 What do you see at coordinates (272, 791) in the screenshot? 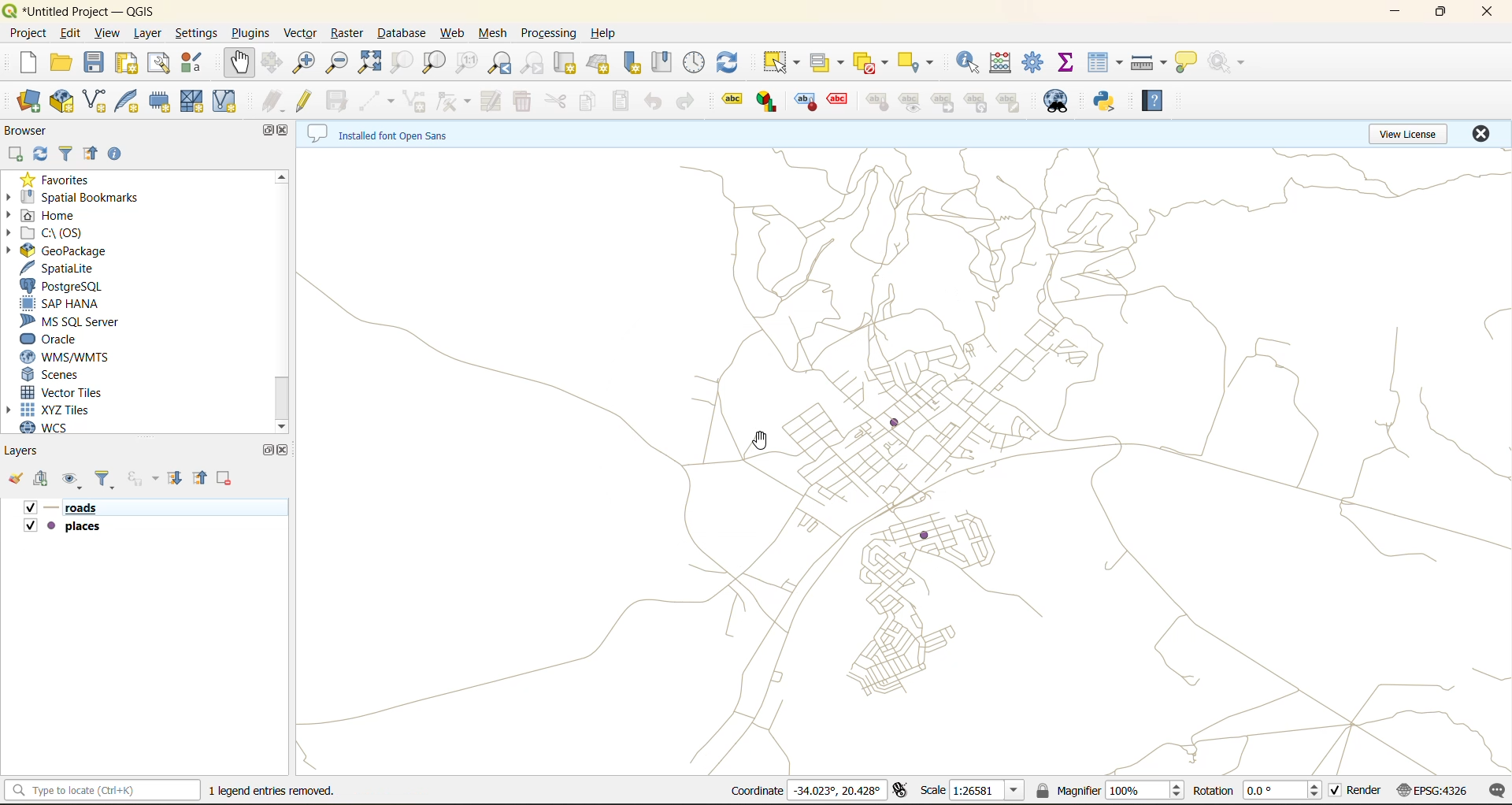
I see `1 legend entries removed` at bounding box center [272, 791].